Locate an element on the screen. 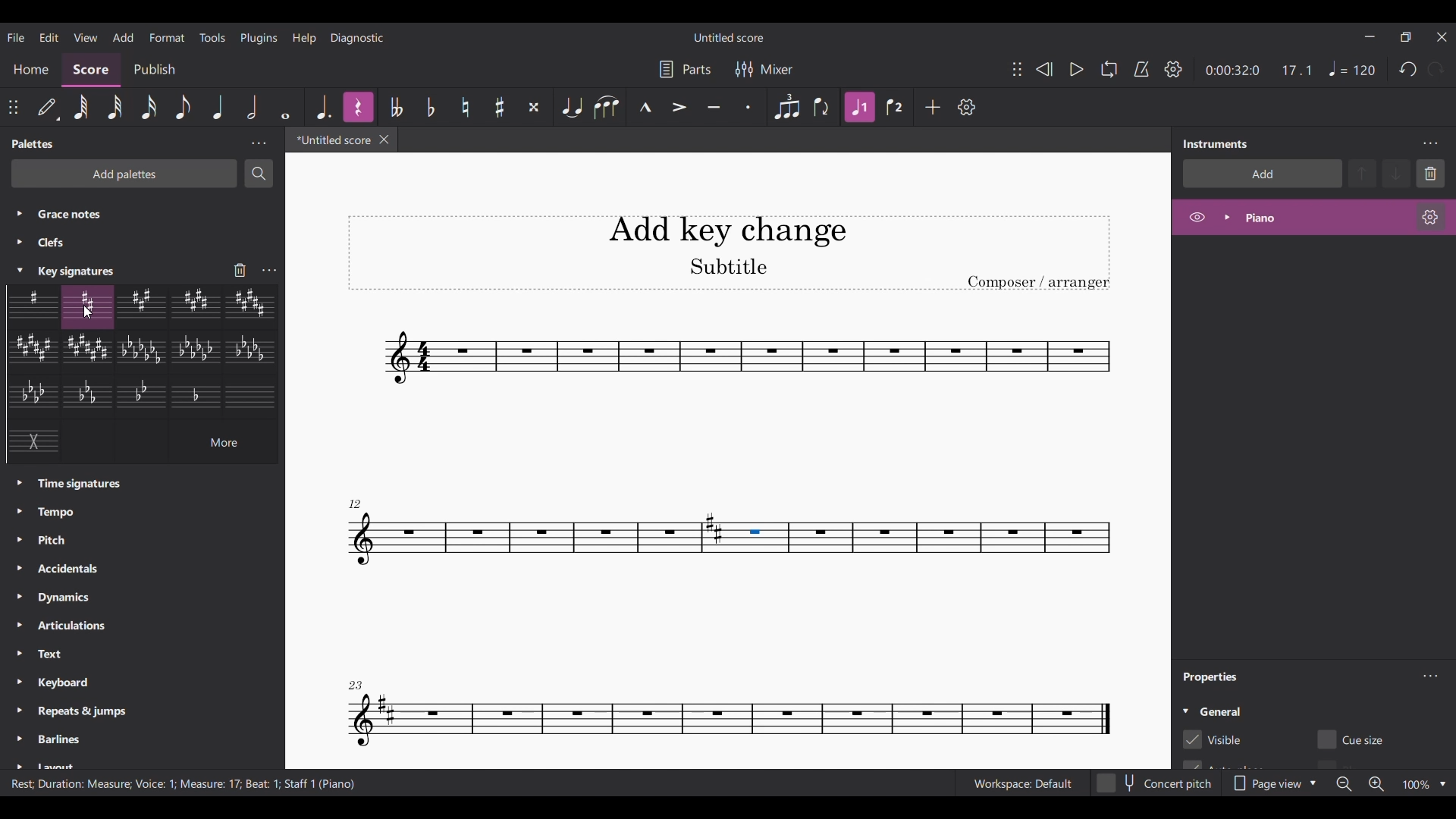 This screenshot has width=1456, height=819. View menu is located at coordinates (85, 36).